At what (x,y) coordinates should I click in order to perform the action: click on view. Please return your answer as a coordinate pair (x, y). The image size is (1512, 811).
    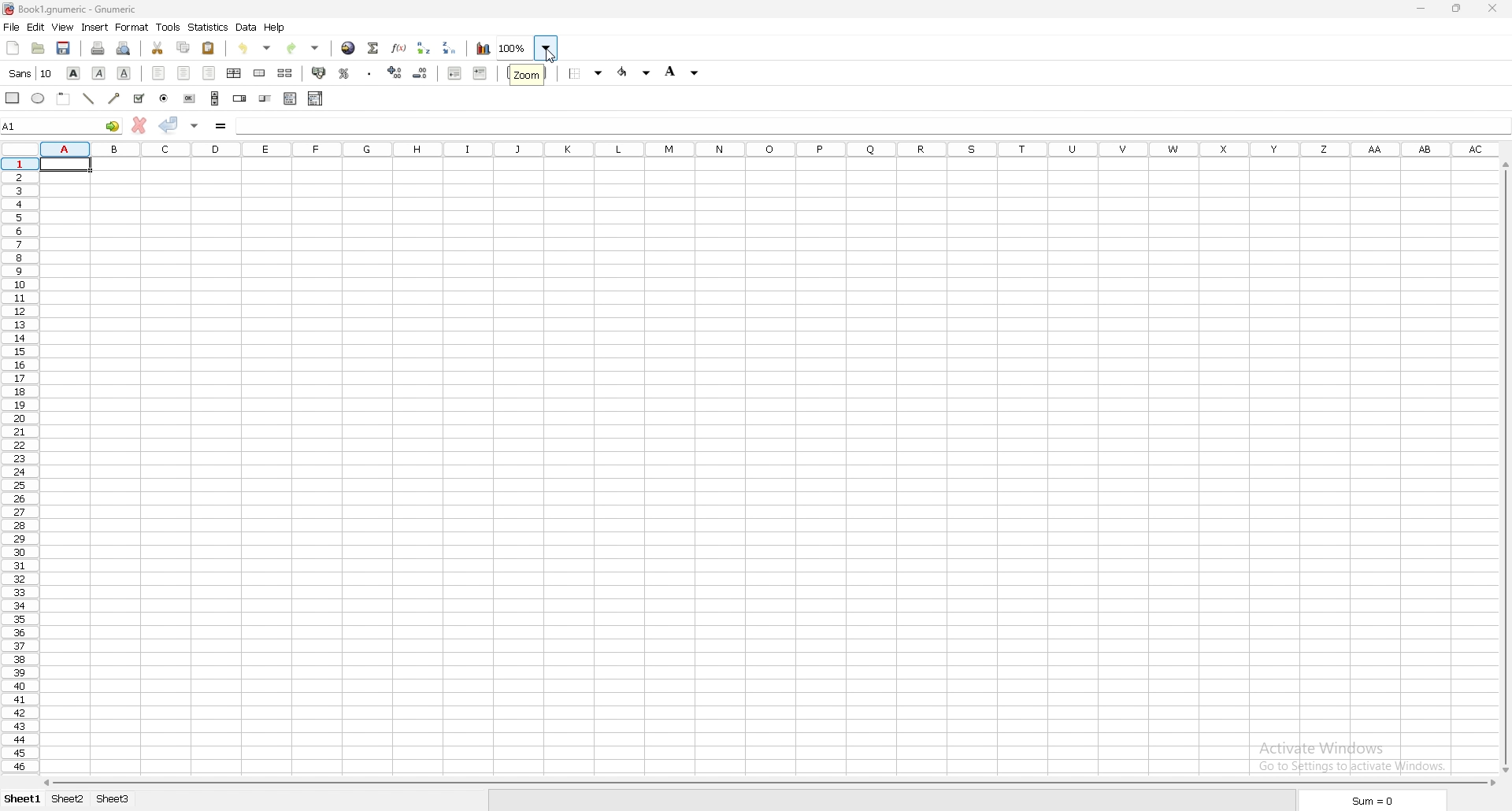
    Looking at the image, I should click on (62, 26).